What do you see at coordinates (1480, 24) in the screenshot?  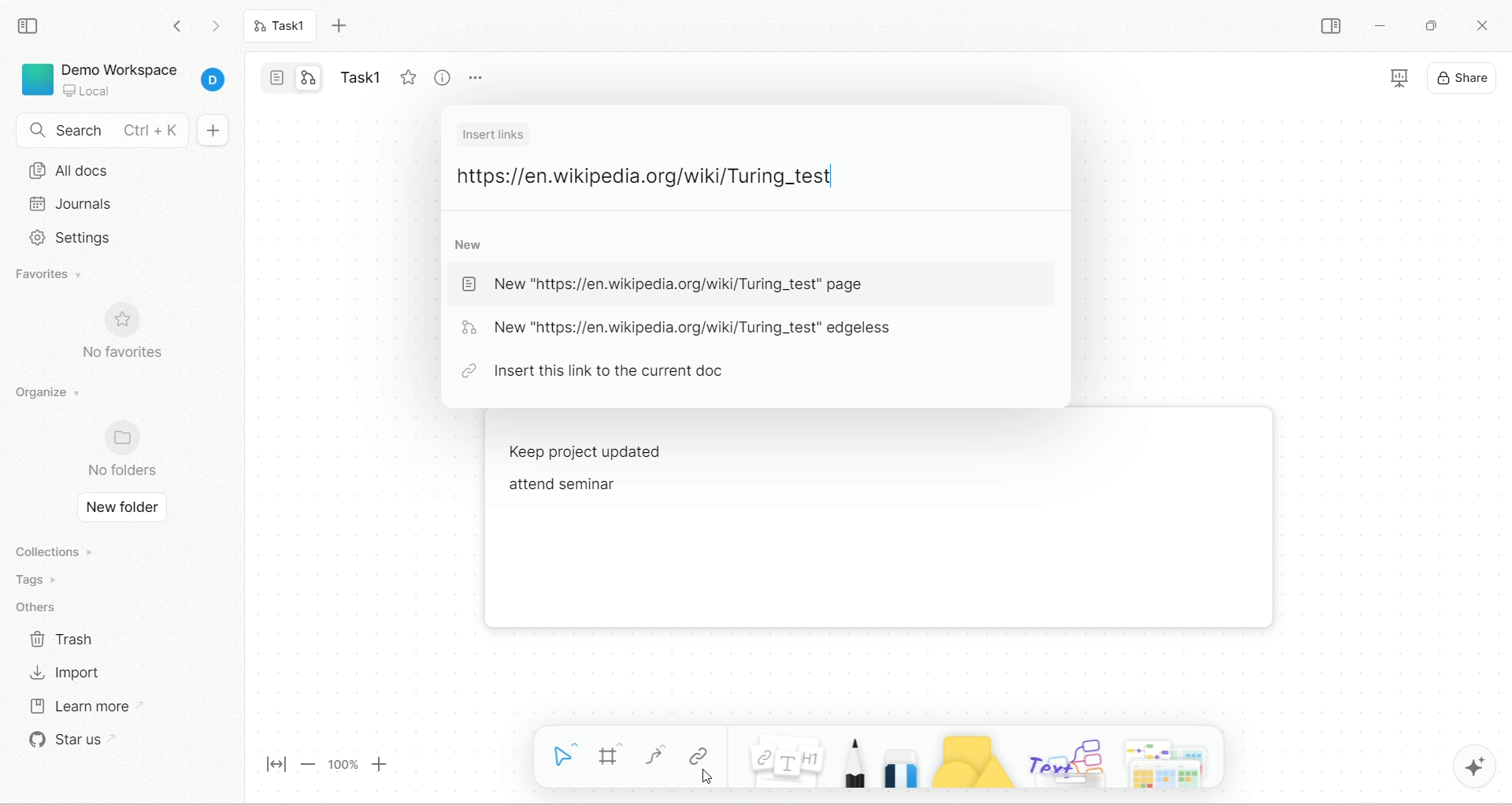 I see `close` at bounding box center [1480, 24].